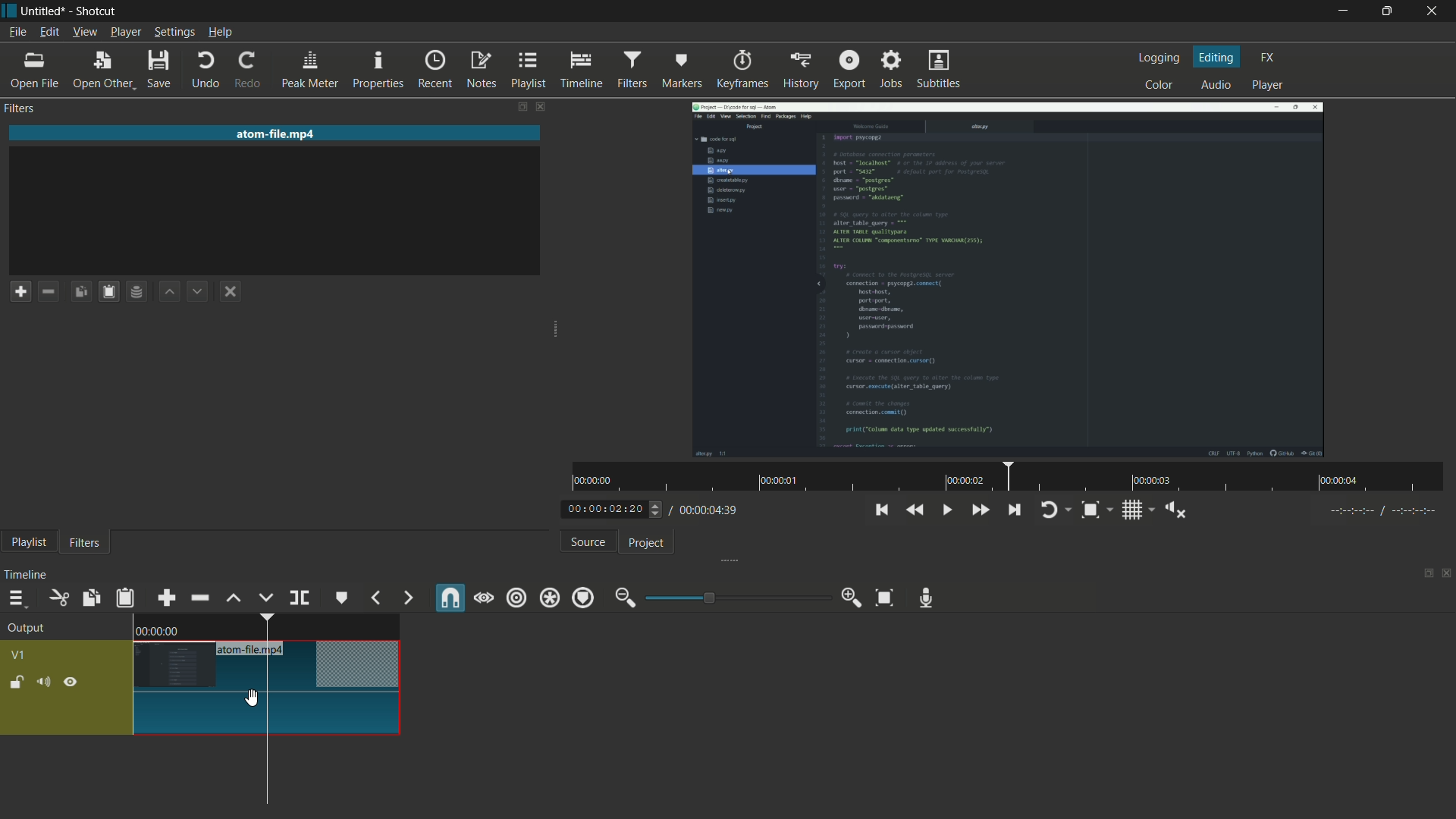  I want to click on paste, so click(124, 598).